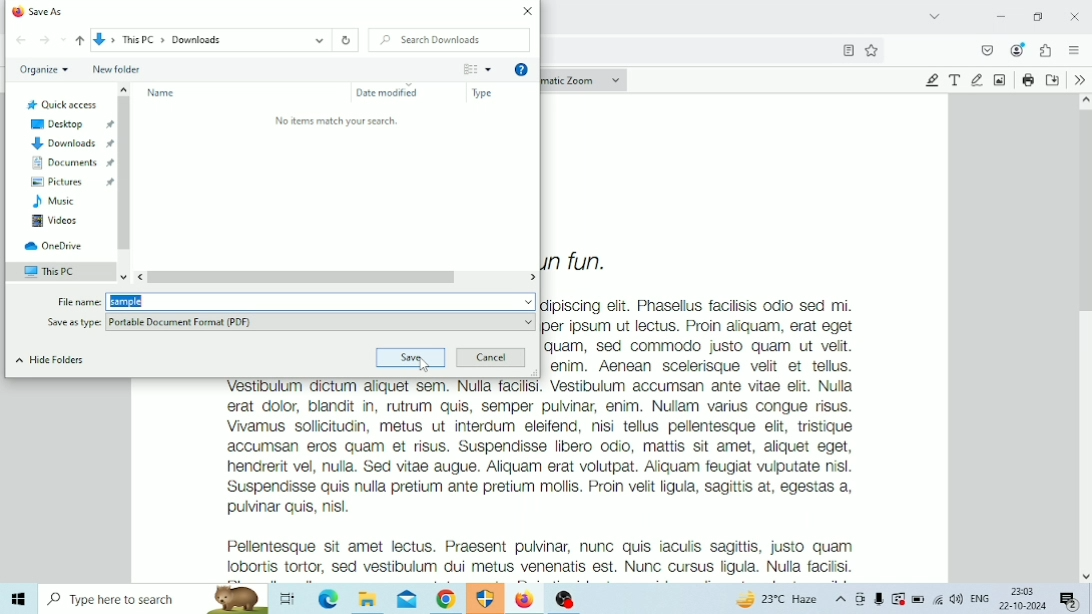  What do you see at coordinates (411, 358) in the screenshot?
I see `Save` at bounding box center [411, 358].